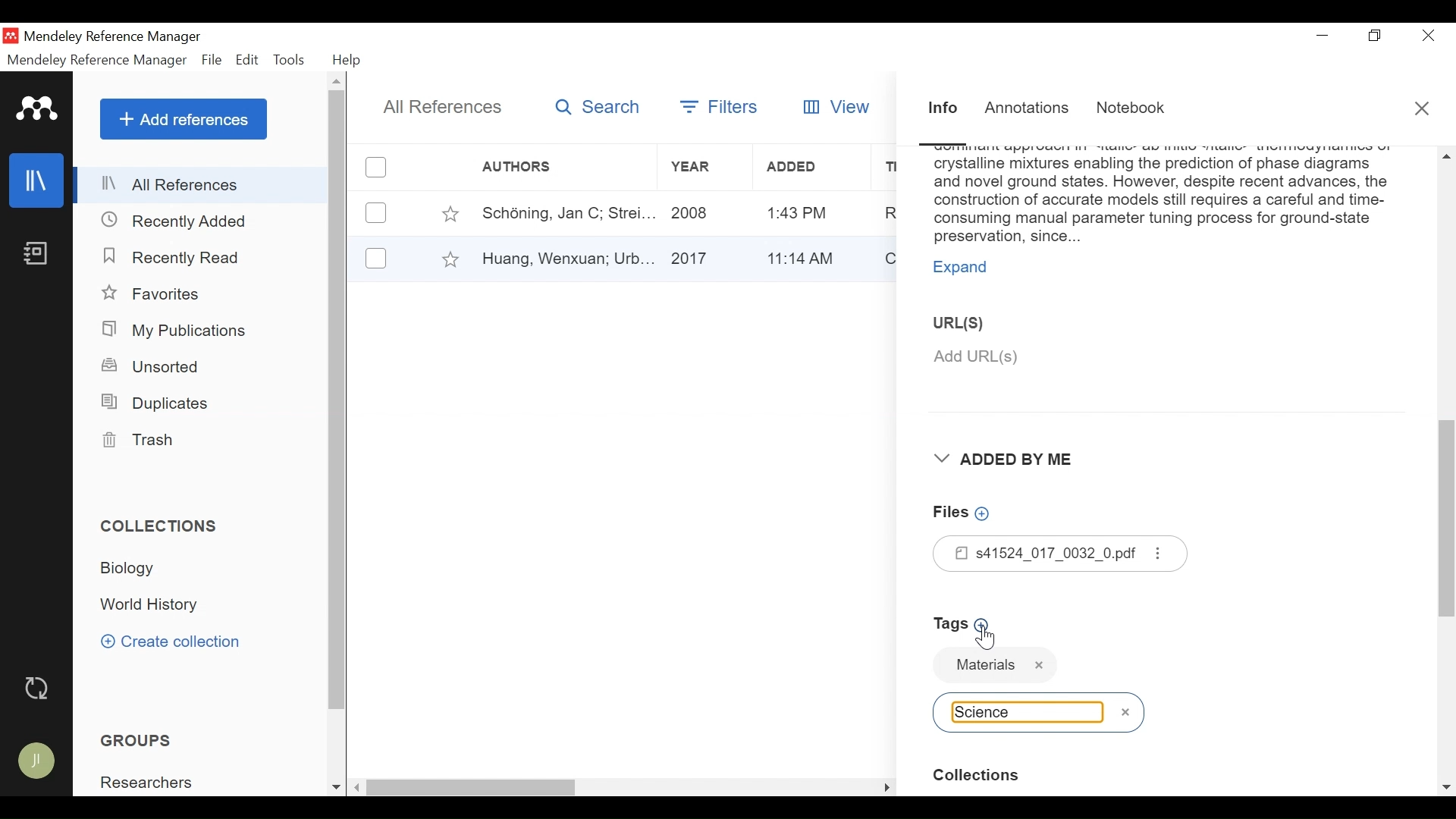 Image resolution: width=1456 pixels, height=819 pixels. I want to click on Trash, so click(136, 440).